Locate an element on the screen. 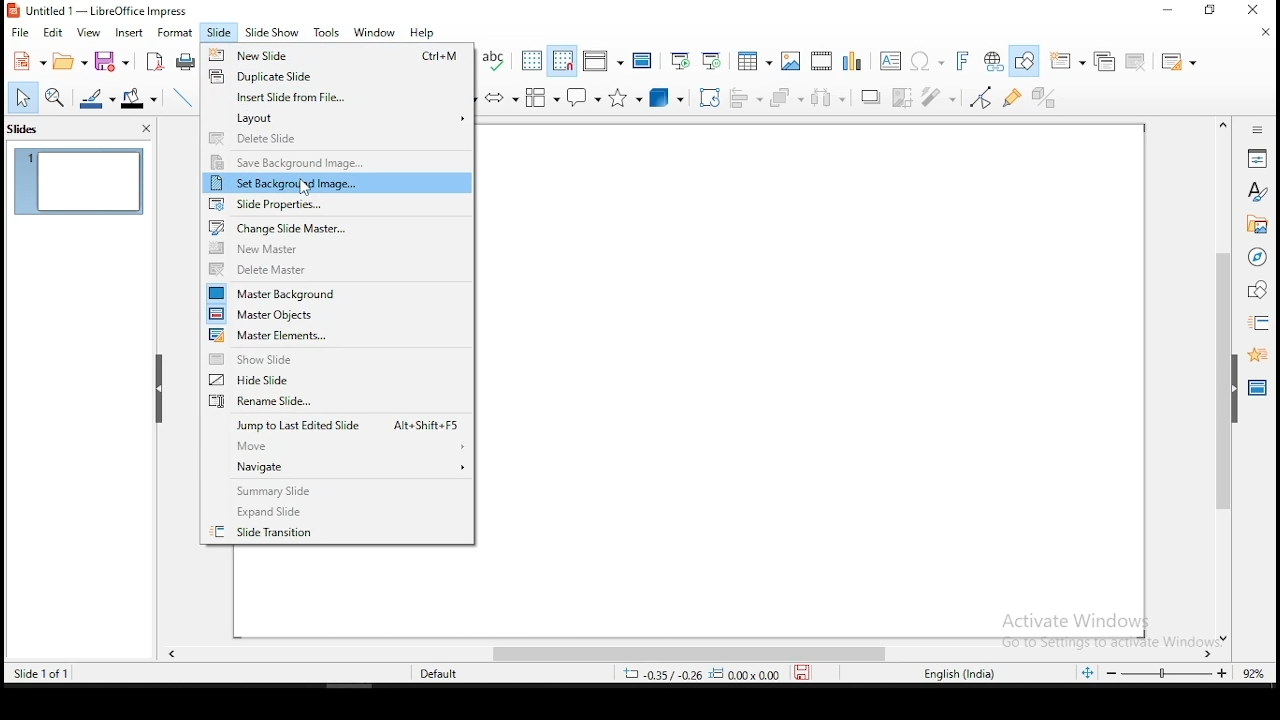  line is located at coordinates (183, 94).